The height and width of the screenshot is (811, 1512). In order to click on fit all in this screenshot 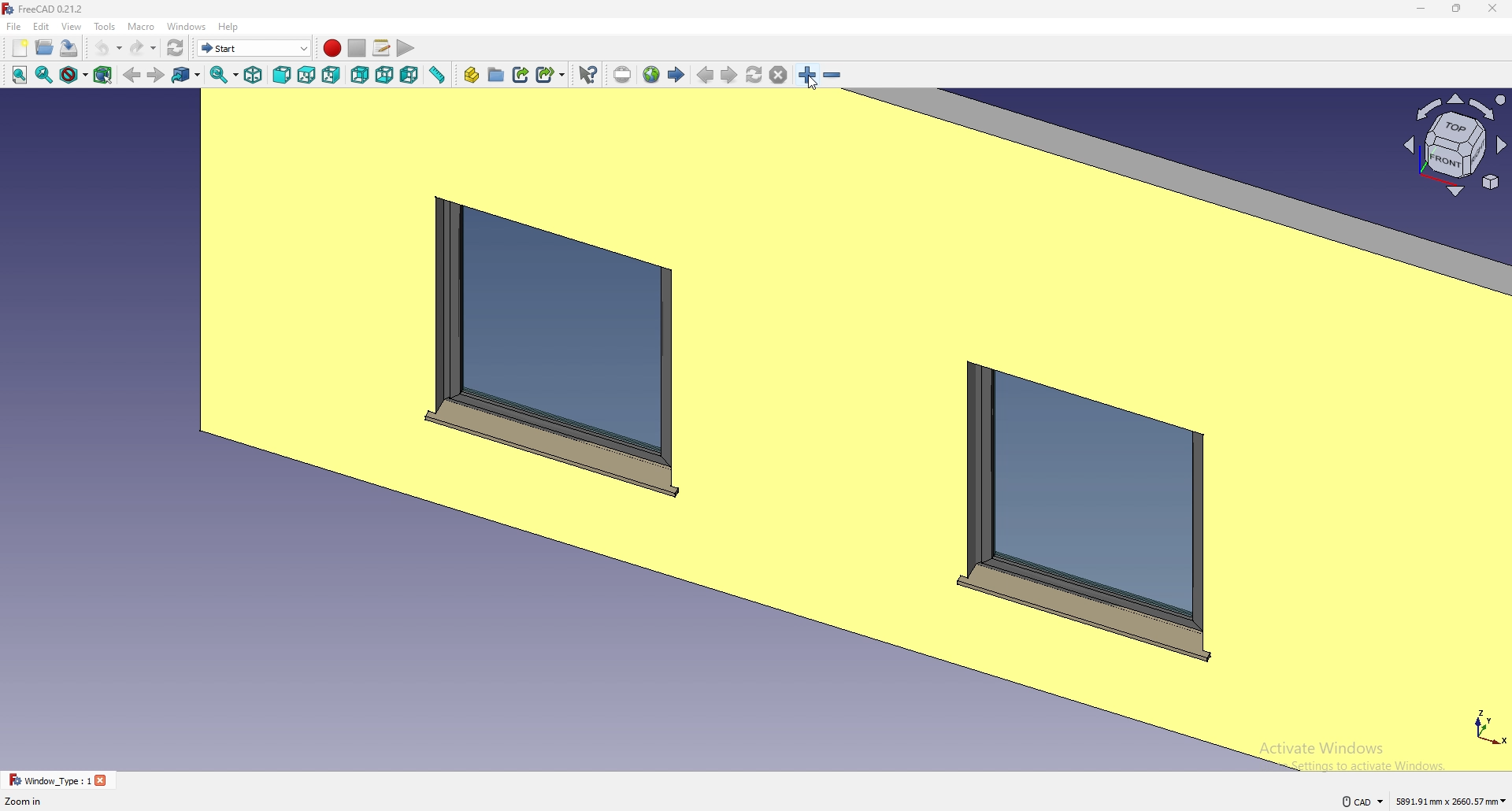, I will do `click(19, 75)`.